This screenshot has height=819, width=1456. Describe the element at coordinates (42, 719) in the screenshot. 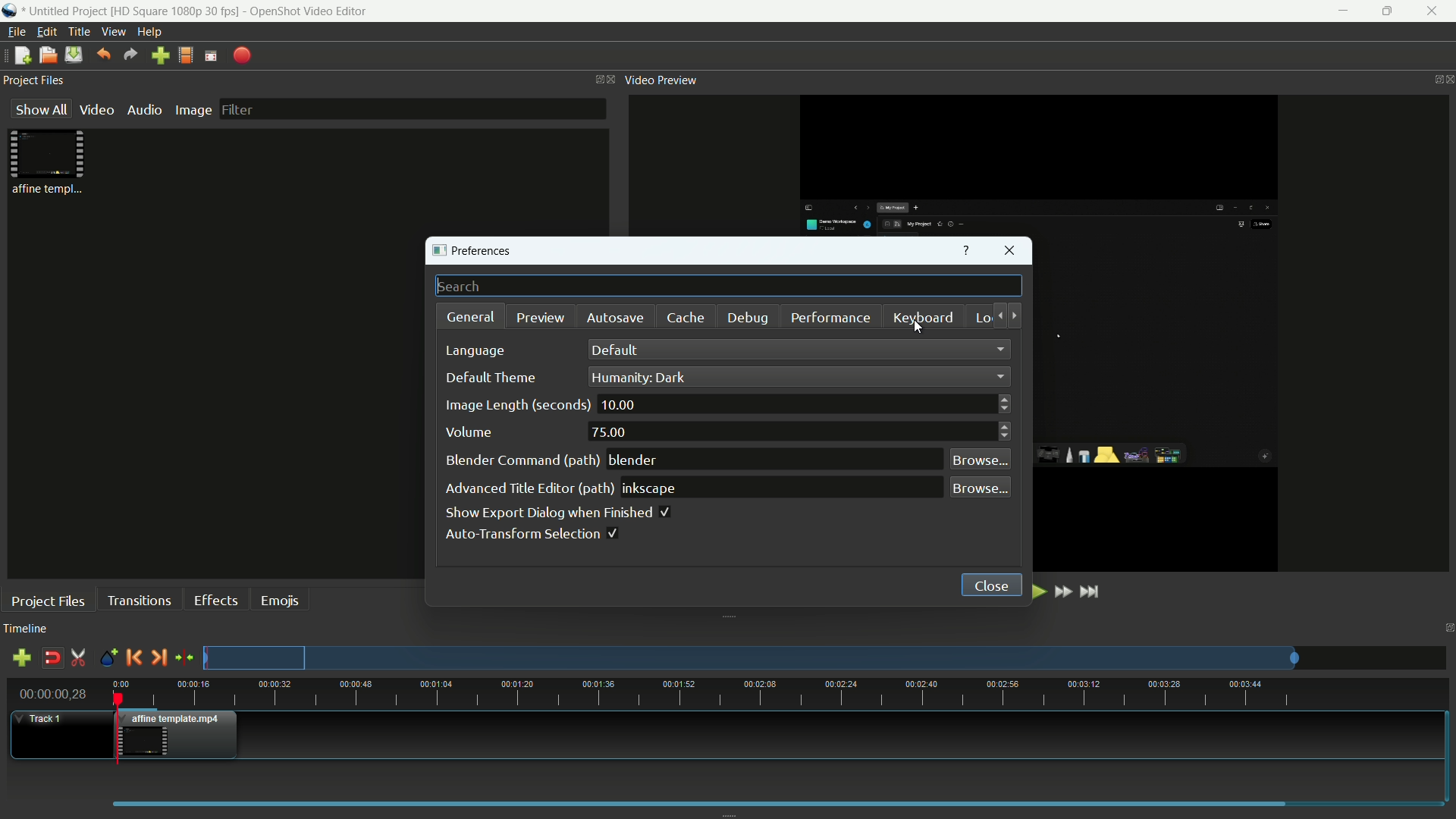

I see `track 1` at that location.